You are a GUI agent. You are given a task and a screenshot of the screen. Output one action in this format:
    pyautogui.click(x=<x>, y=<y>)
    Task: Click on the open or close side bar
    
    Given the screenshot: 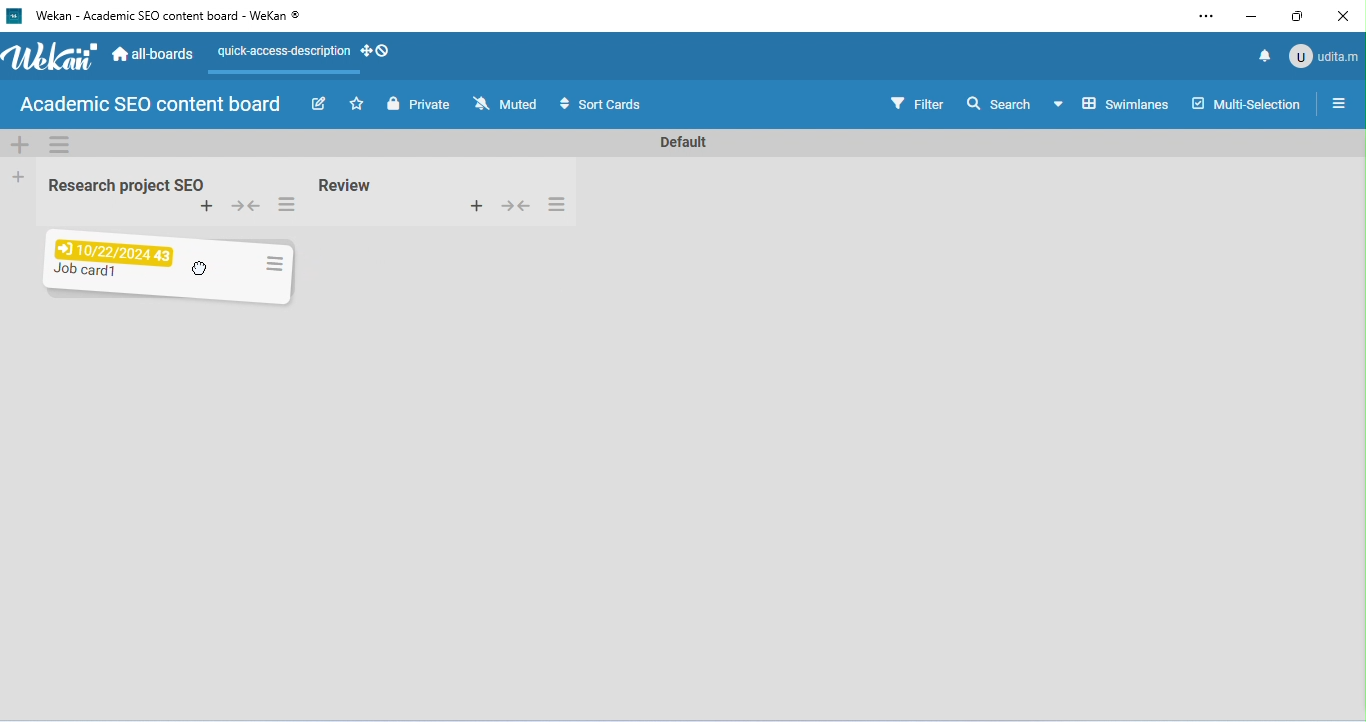 What is the action you would take?
    pyautogui.click(x=1338, y=102)
    